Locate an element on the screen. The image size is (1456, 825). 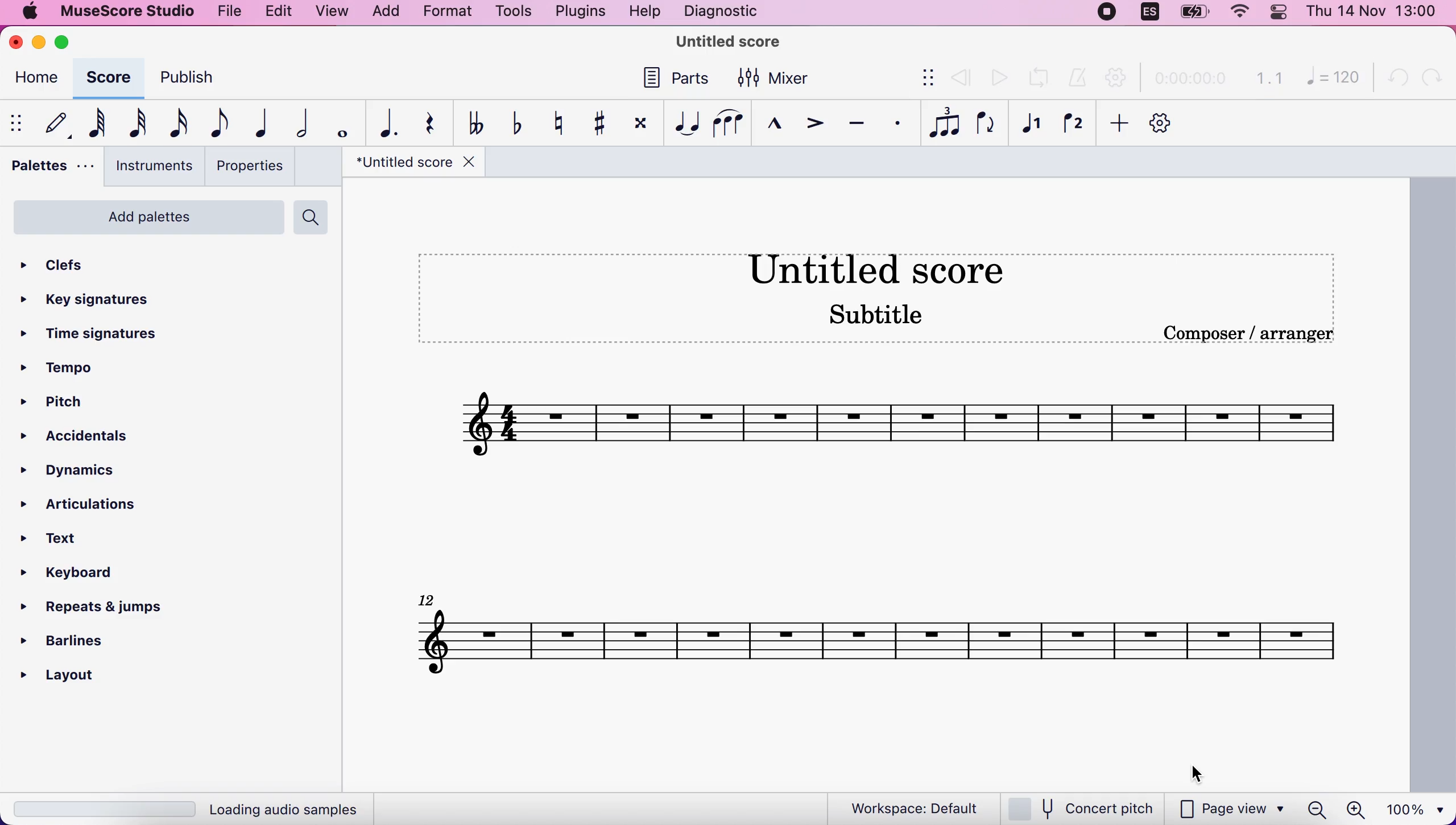
staccato is located at coordinates (894, 127).